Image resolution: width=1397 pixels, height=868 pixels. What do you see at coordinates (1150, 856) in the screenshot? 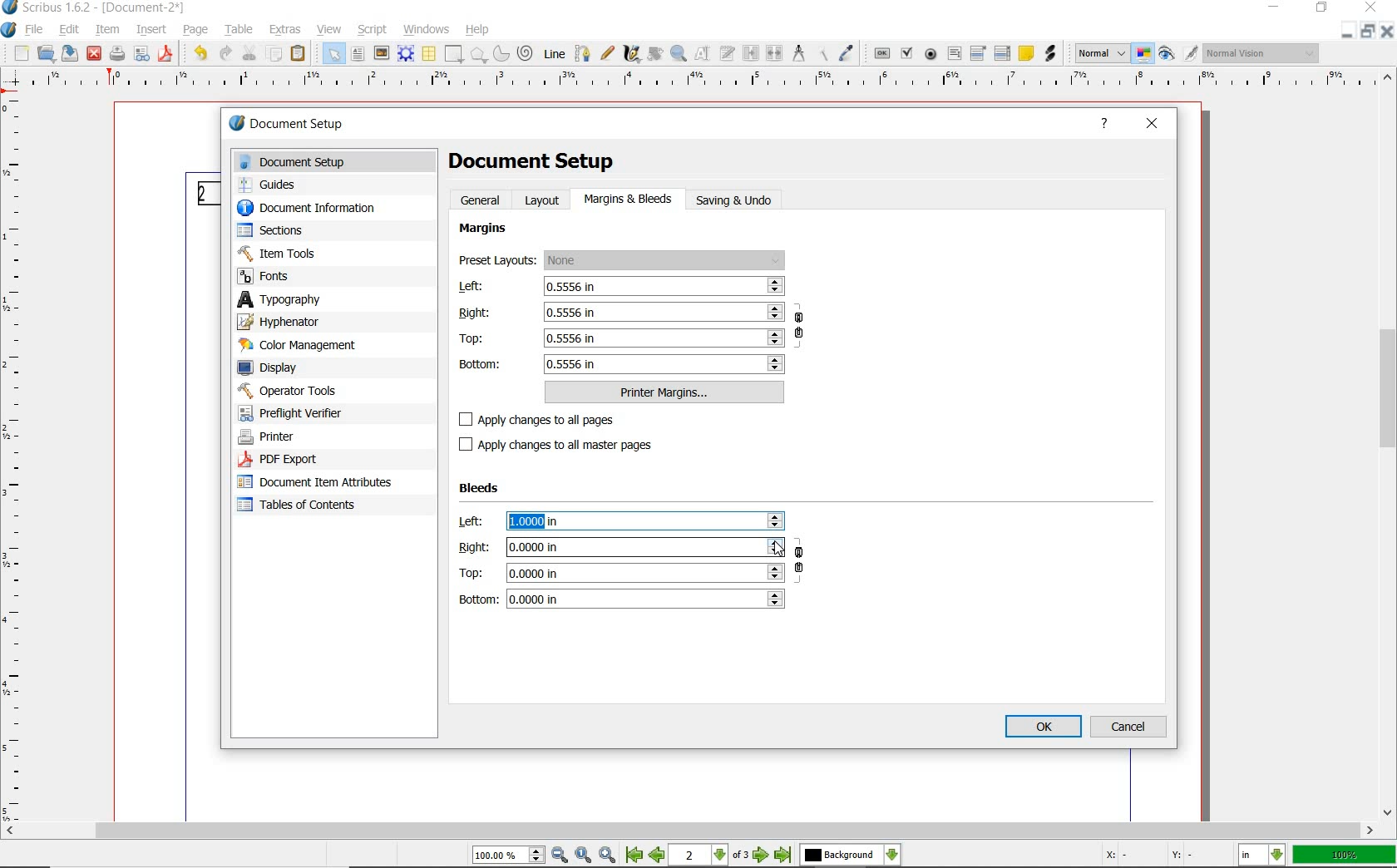
I see `Curspr Coordinates` at bounding box center [1150, 856].